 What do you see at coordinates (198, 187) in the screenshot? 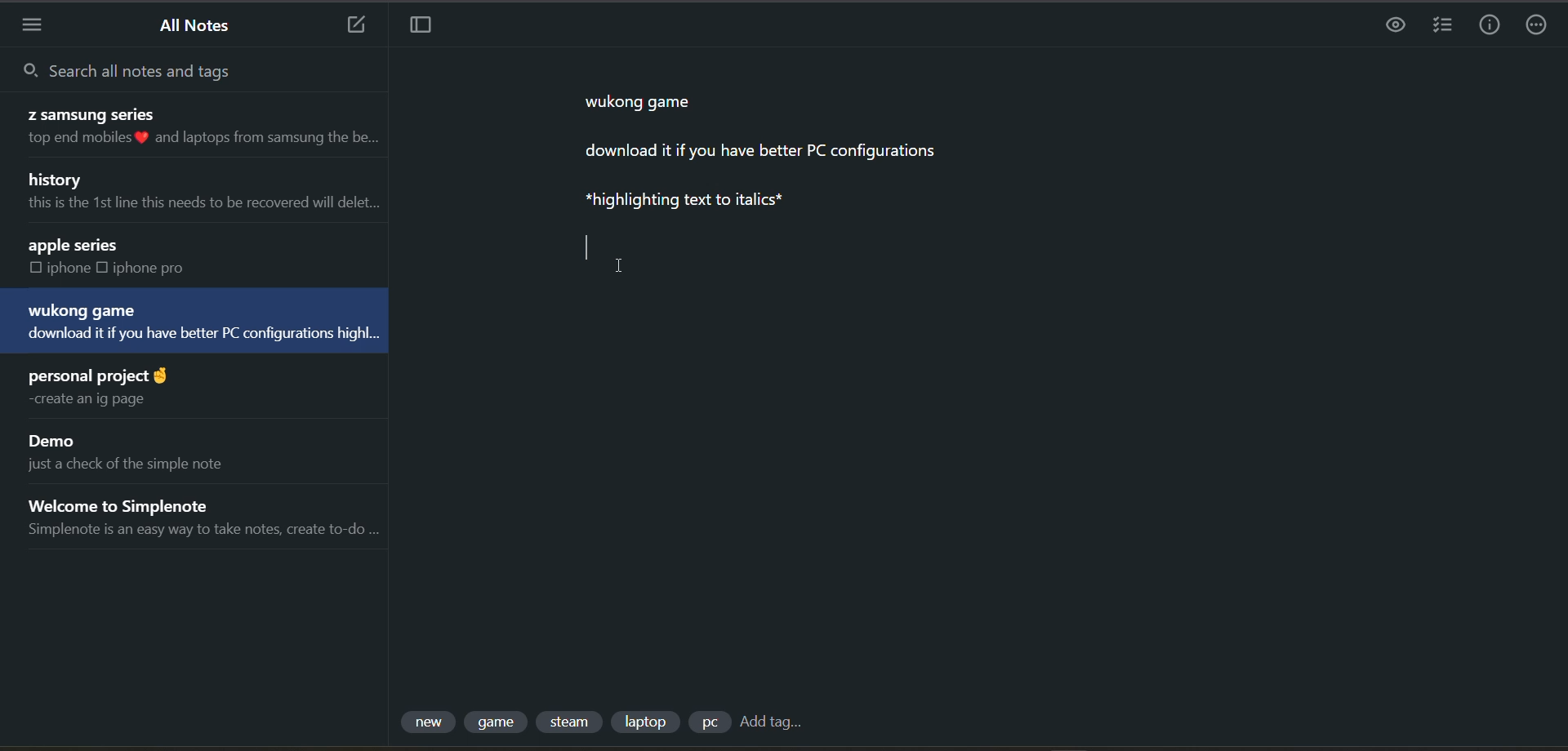
I see `note title and preview` at bounding box center [198, 187].